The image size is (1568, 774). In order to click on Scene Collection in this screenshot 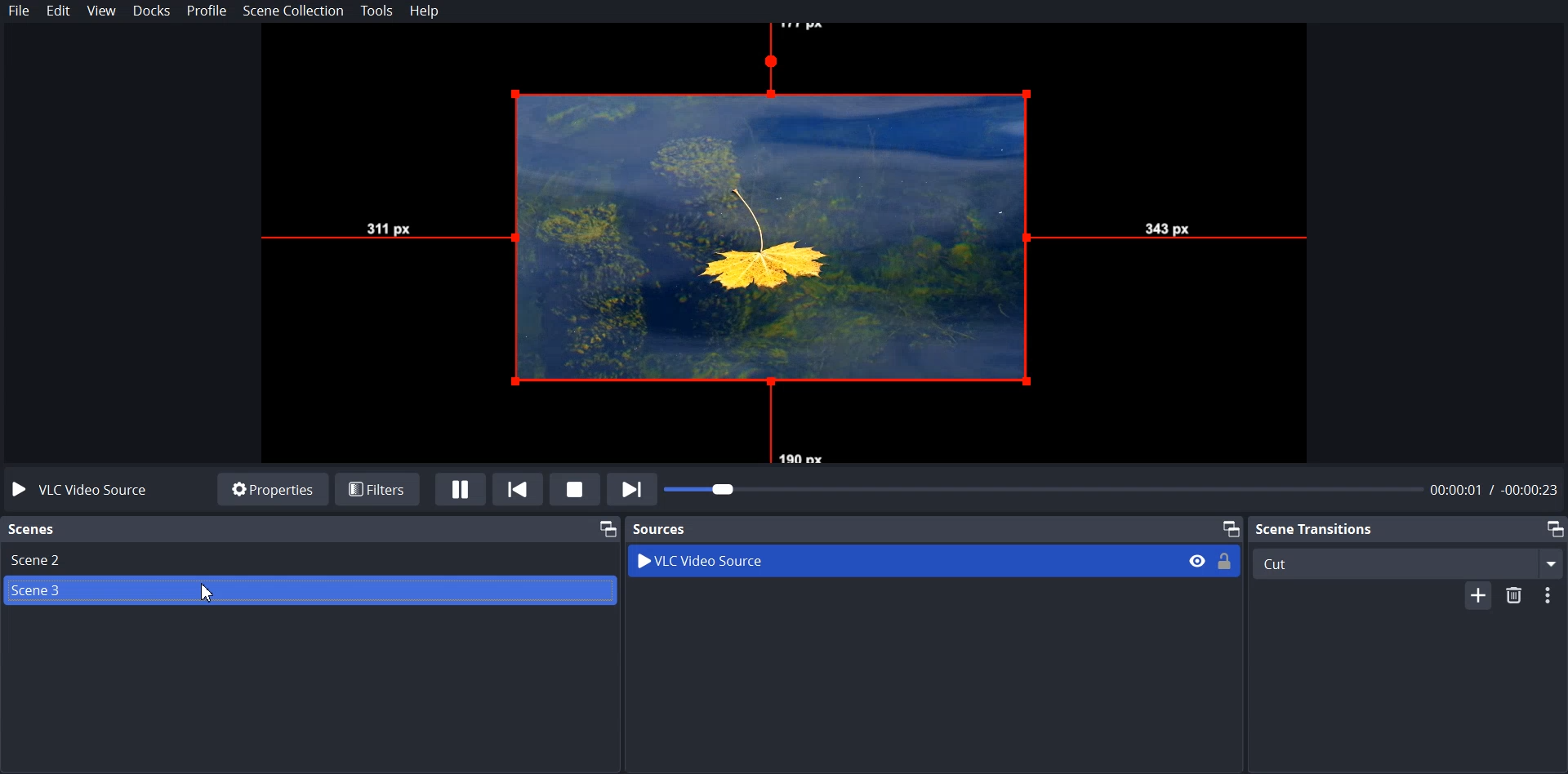, I will do `click(295, 11)`.